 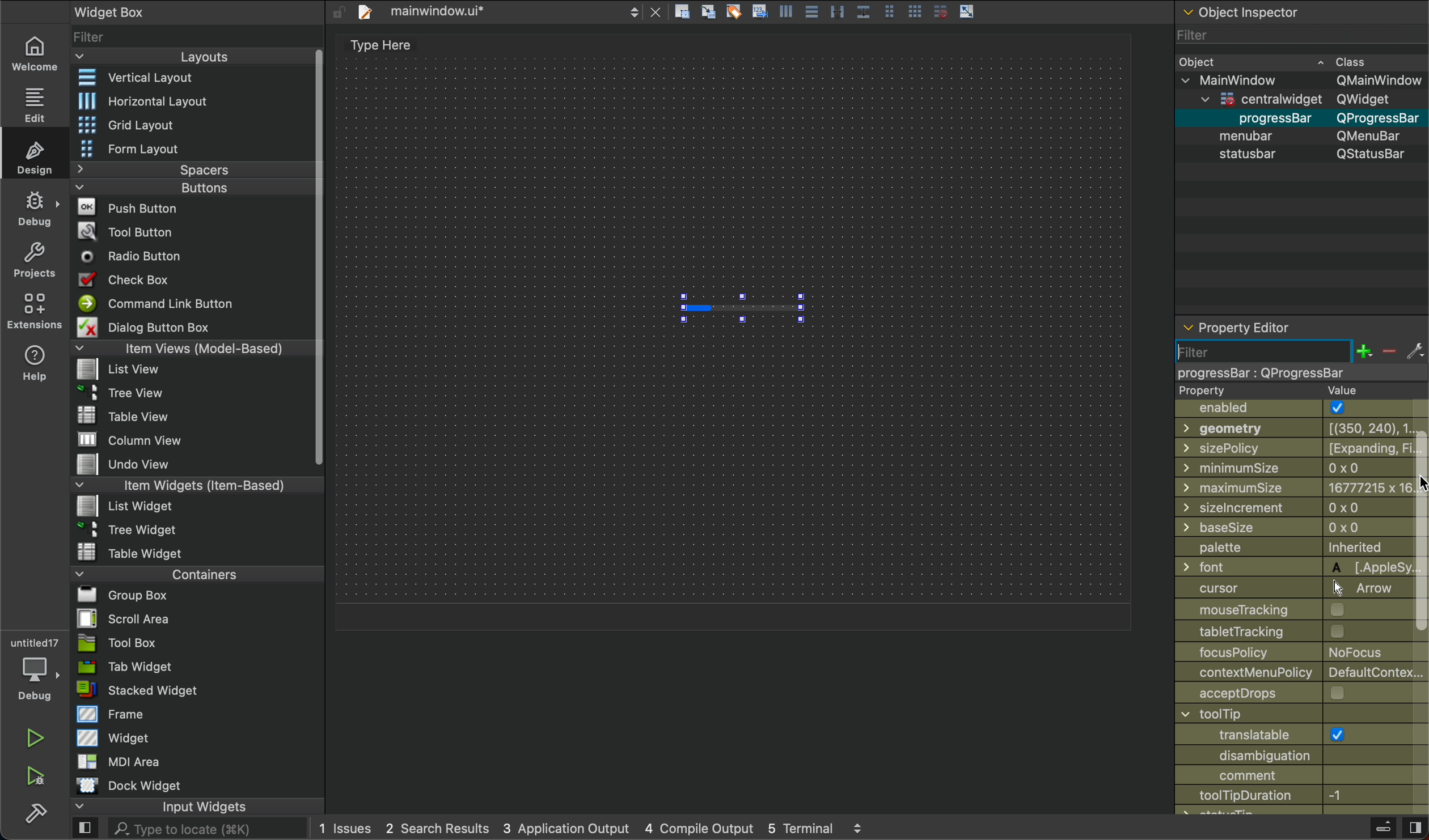 I want to click on tablet tracking, so click(x=1281, y=631).